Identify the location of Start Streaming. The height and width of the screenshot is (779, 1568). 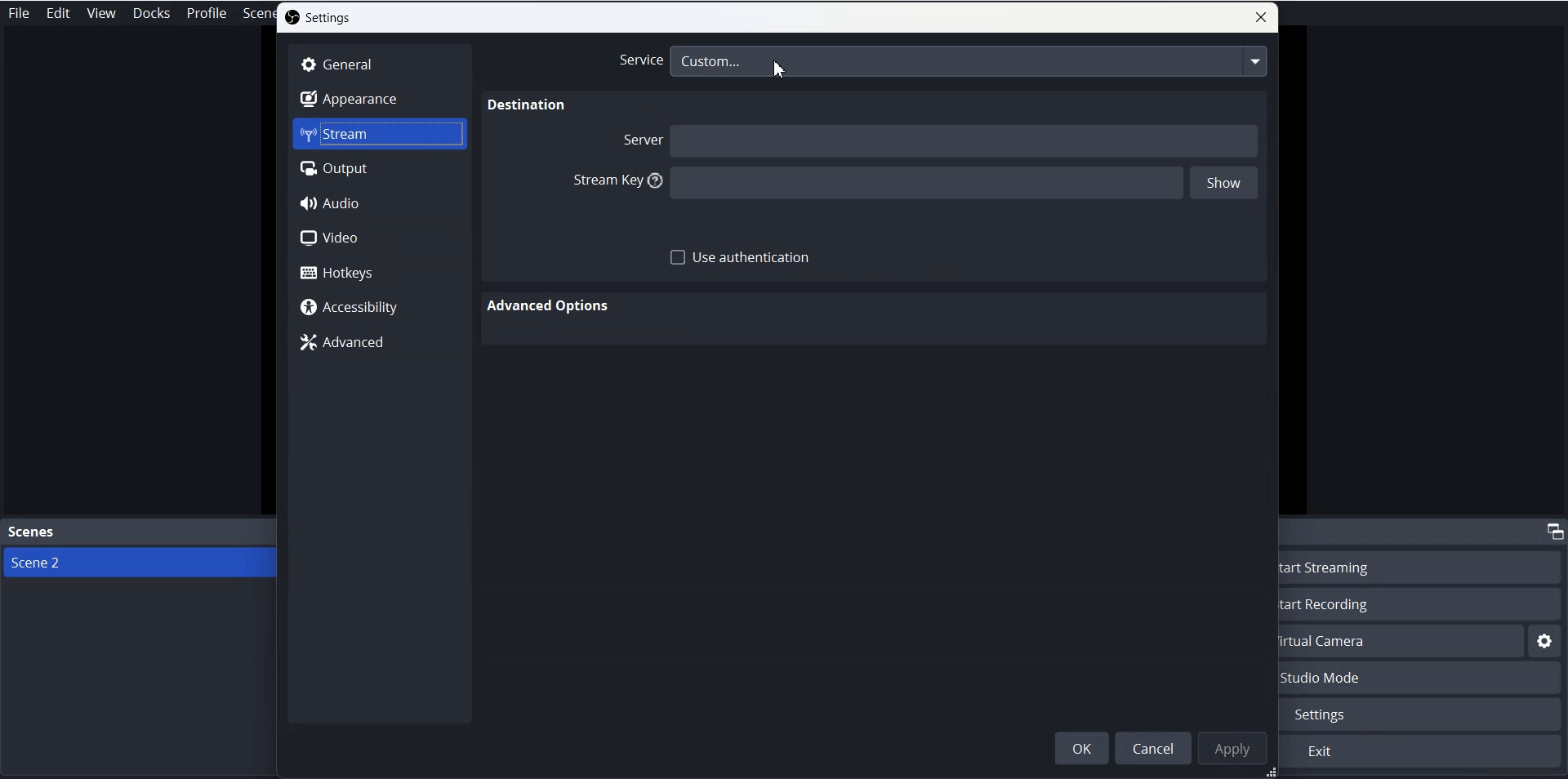
(1424, 566).